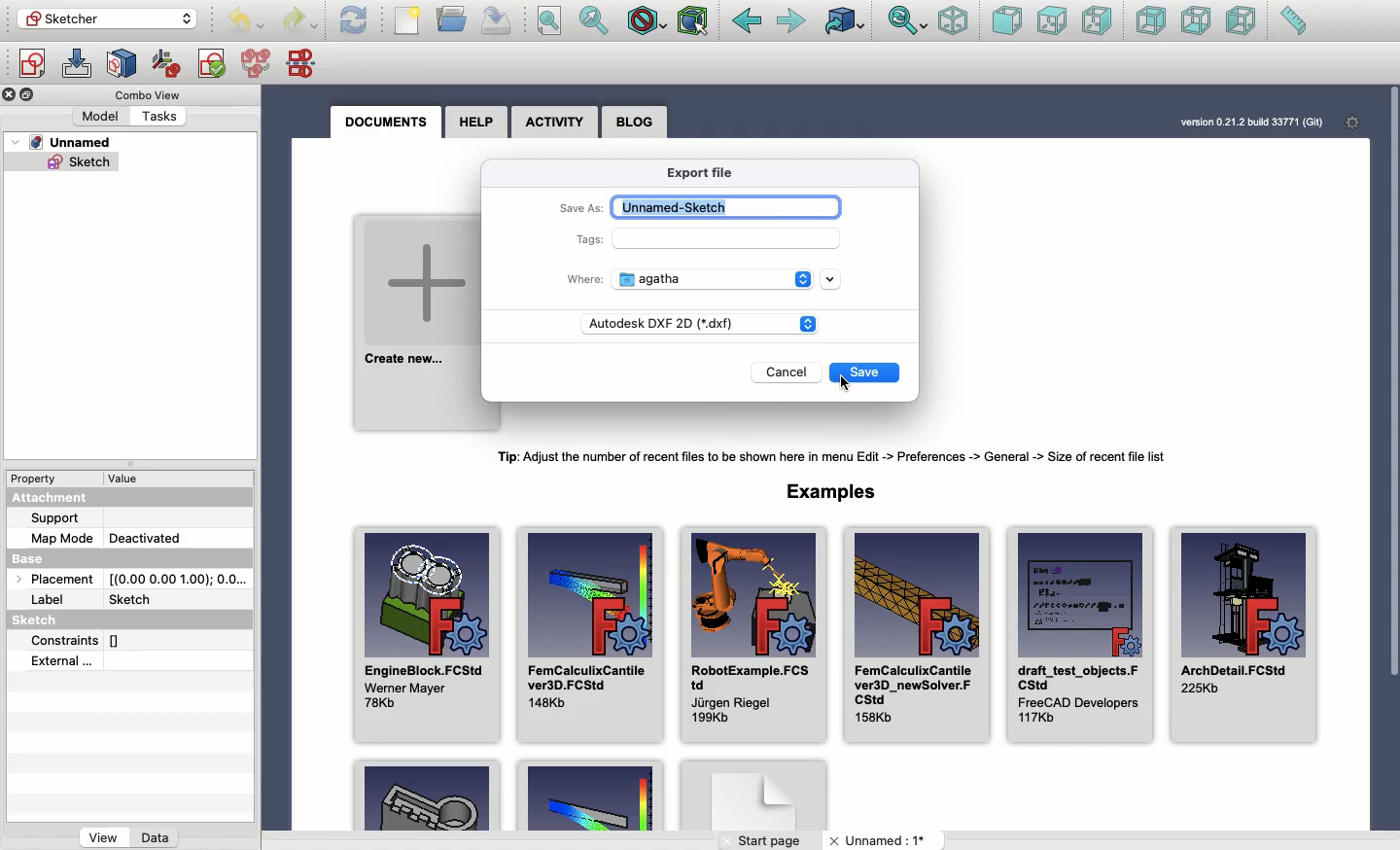  I want to click on Undo, so click(249, 21).